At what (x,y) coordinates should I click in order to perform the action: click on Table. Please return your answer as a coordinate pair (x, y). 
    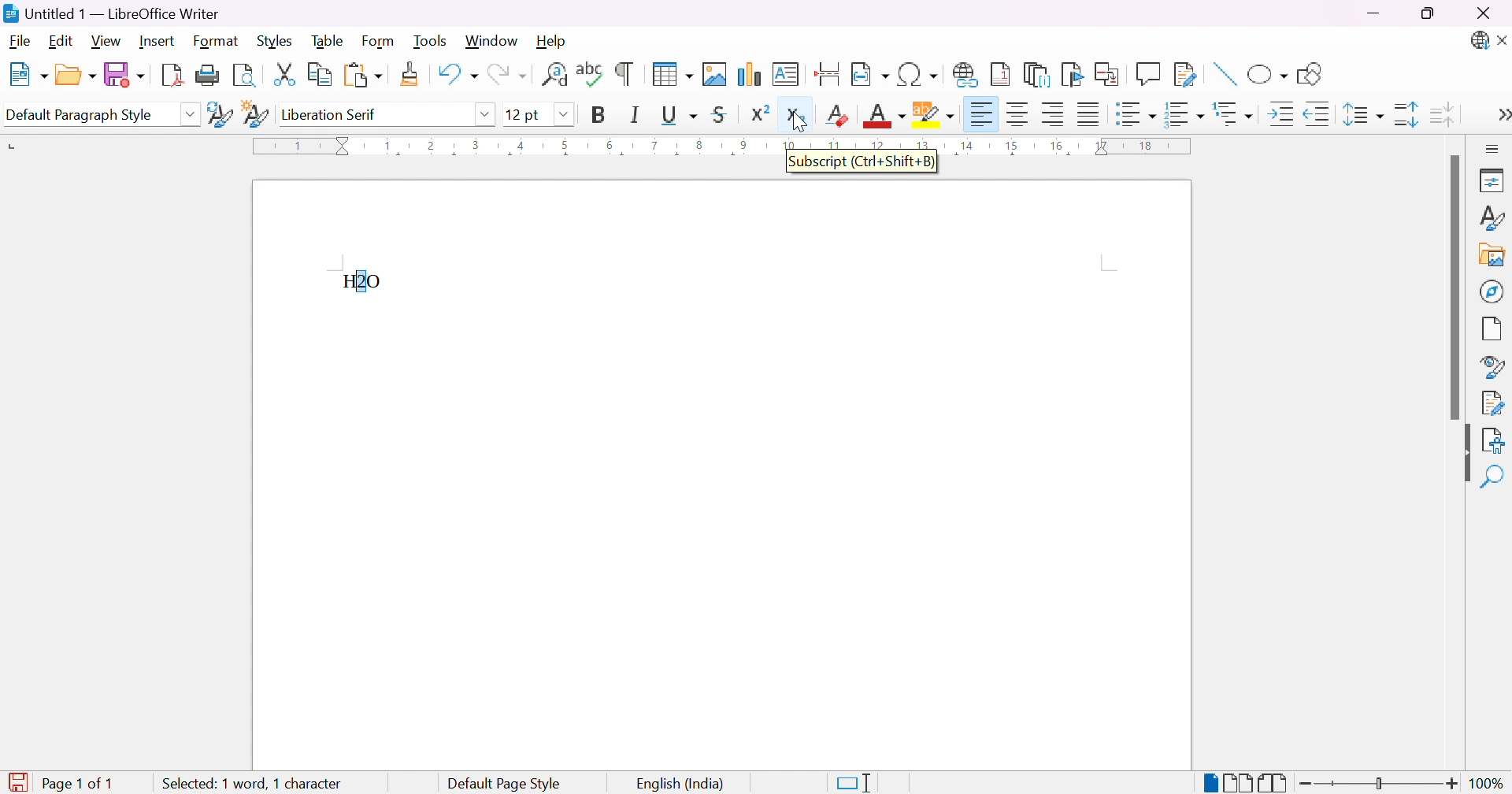
    Looking at the image, I should click on (328, 39).